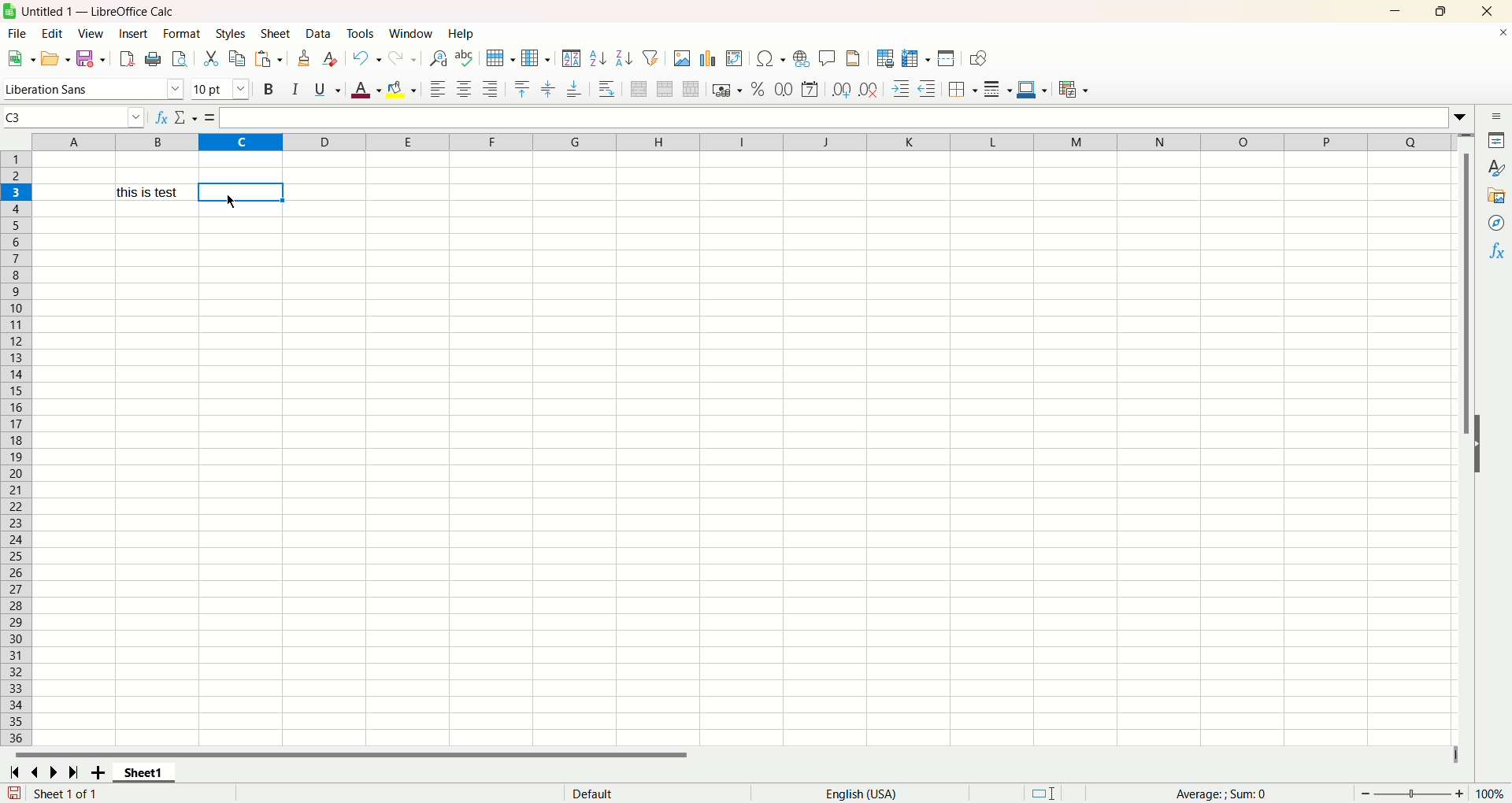  I want to click on cut, so click(213, 58).